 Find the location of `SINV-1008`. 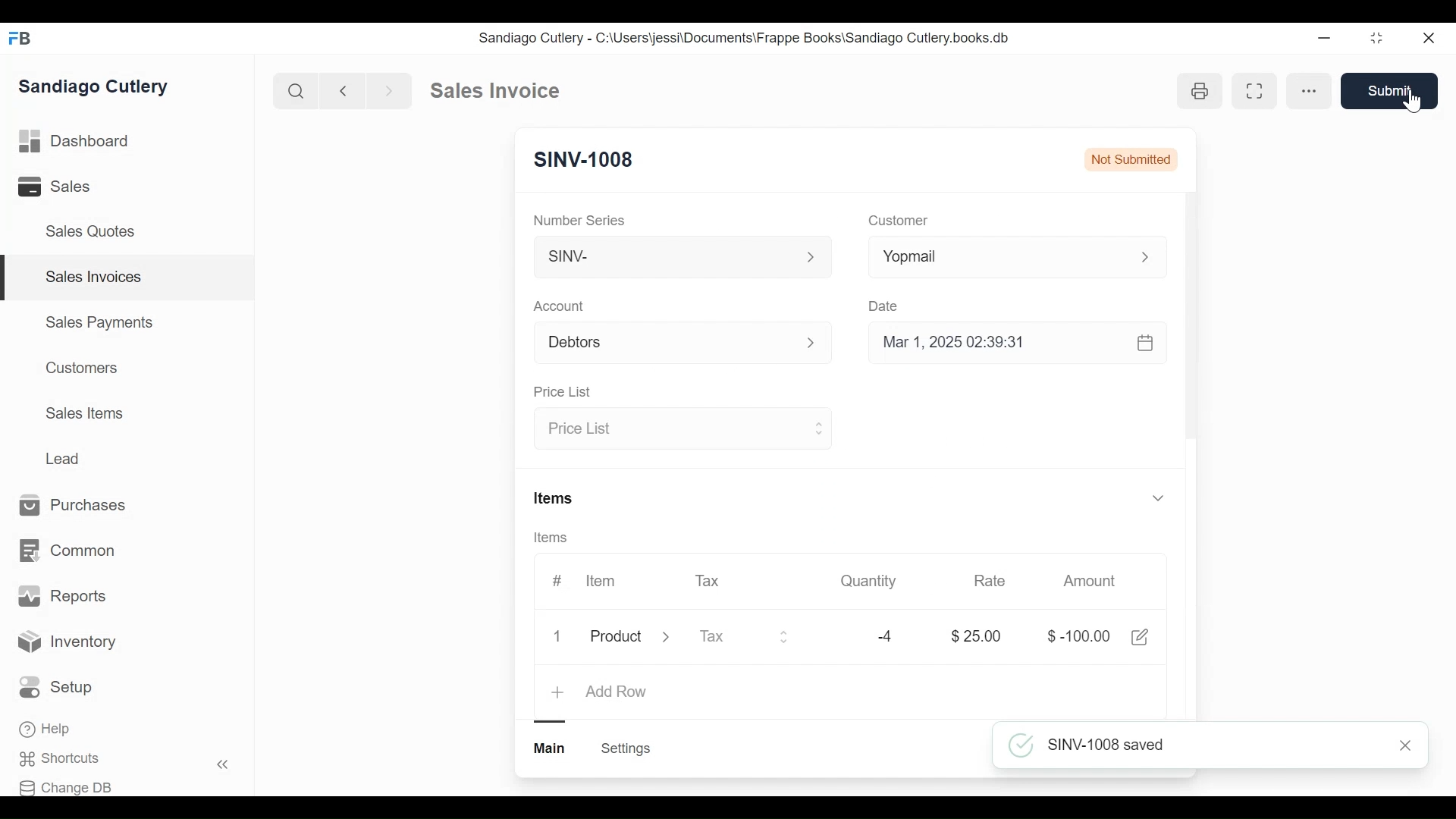

SINV-1008 is located at coordinates (585, 158).